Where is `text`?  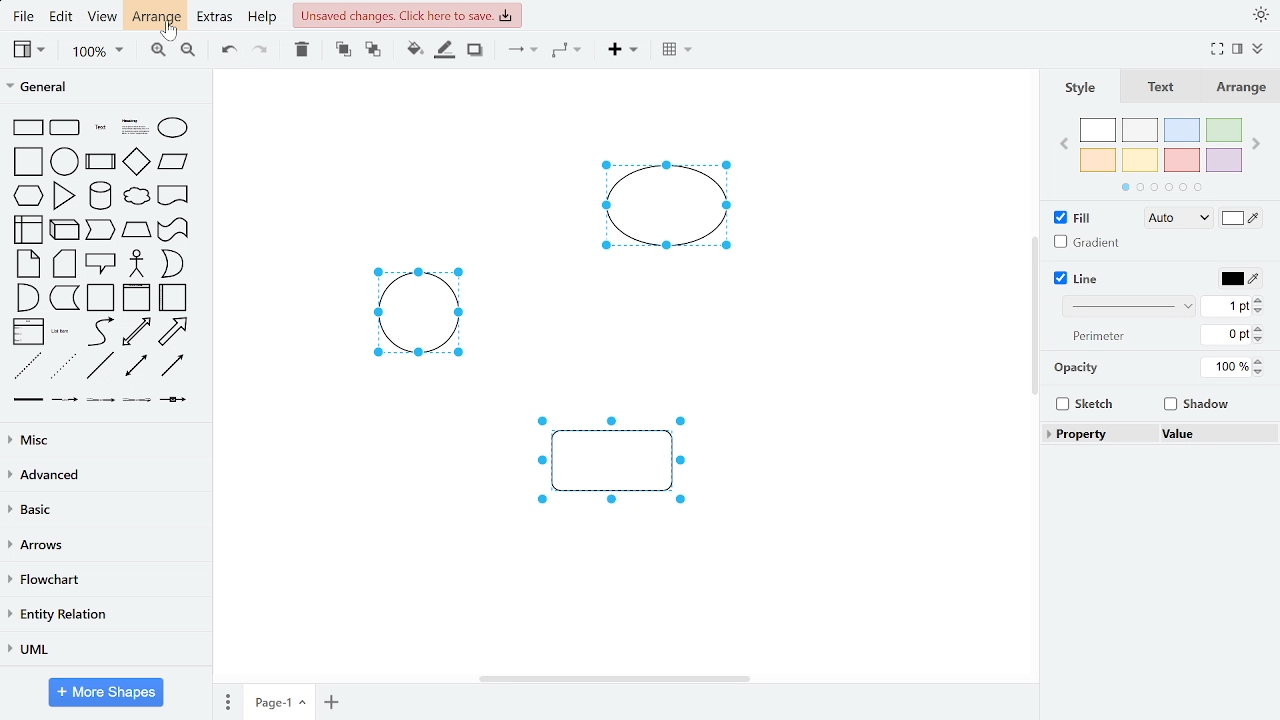 text is located at coordinates (101, 127).